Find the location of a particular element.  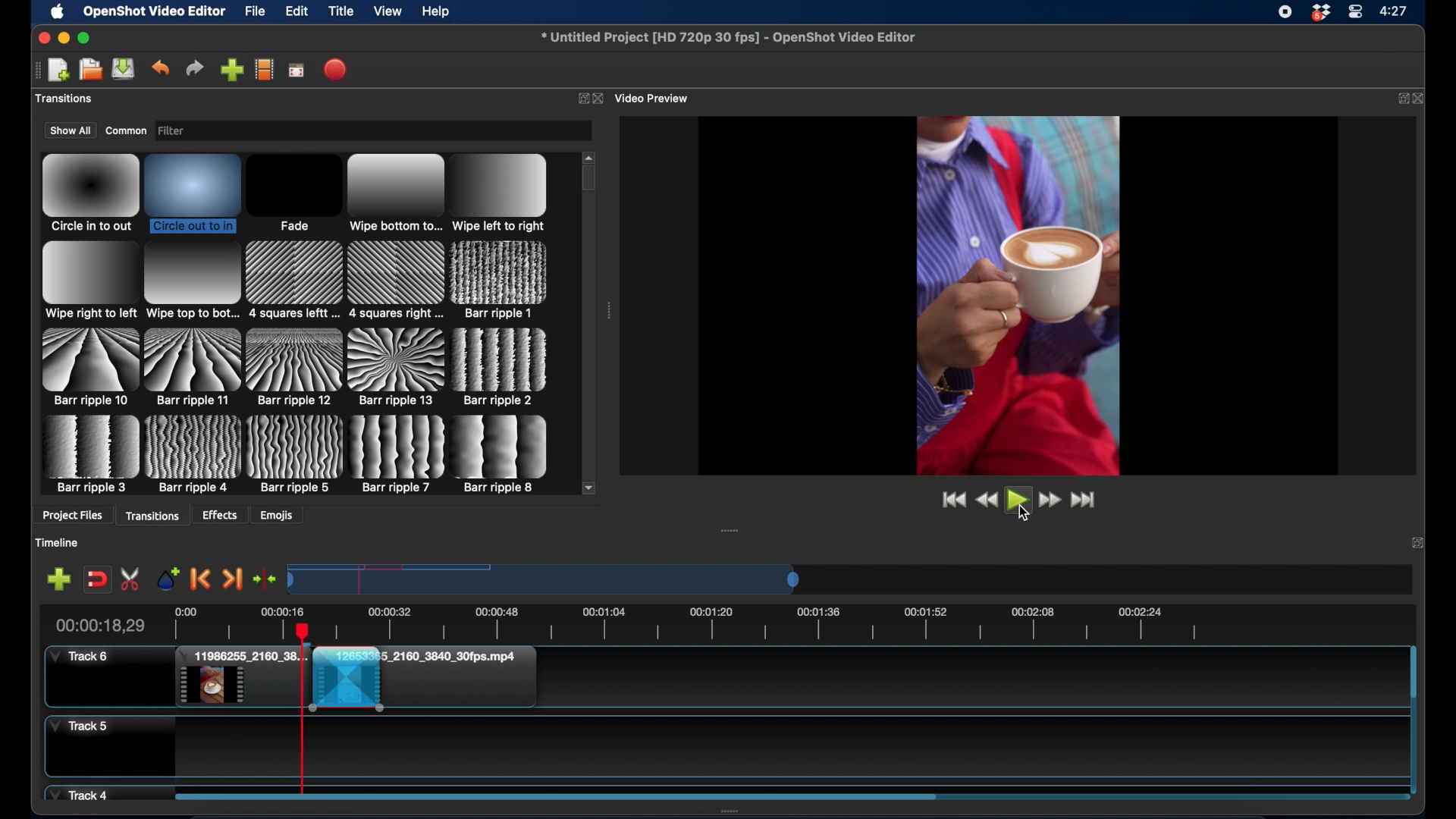

redo is located at coordinates (195, 68).